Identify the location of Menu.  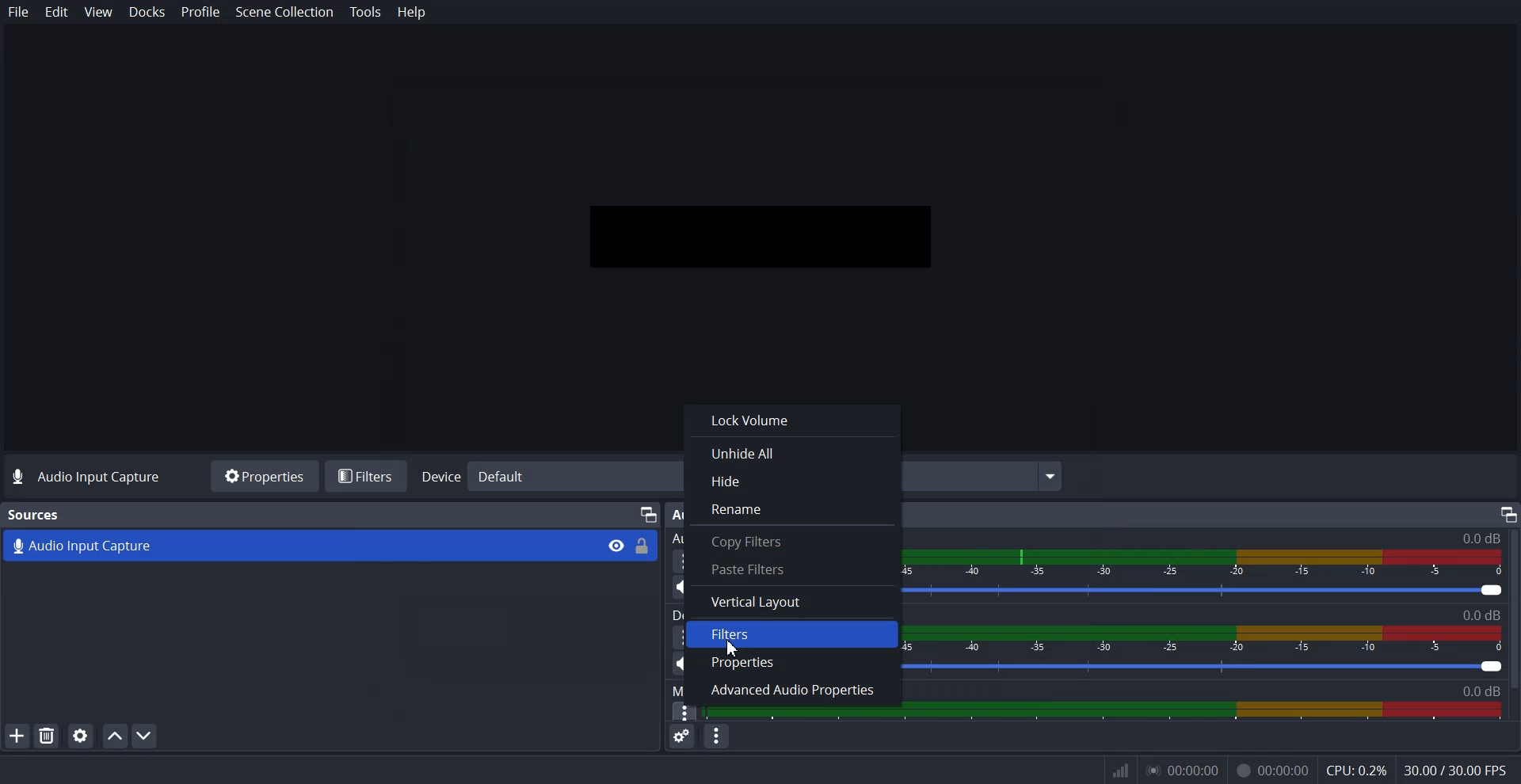
(1050, 478).